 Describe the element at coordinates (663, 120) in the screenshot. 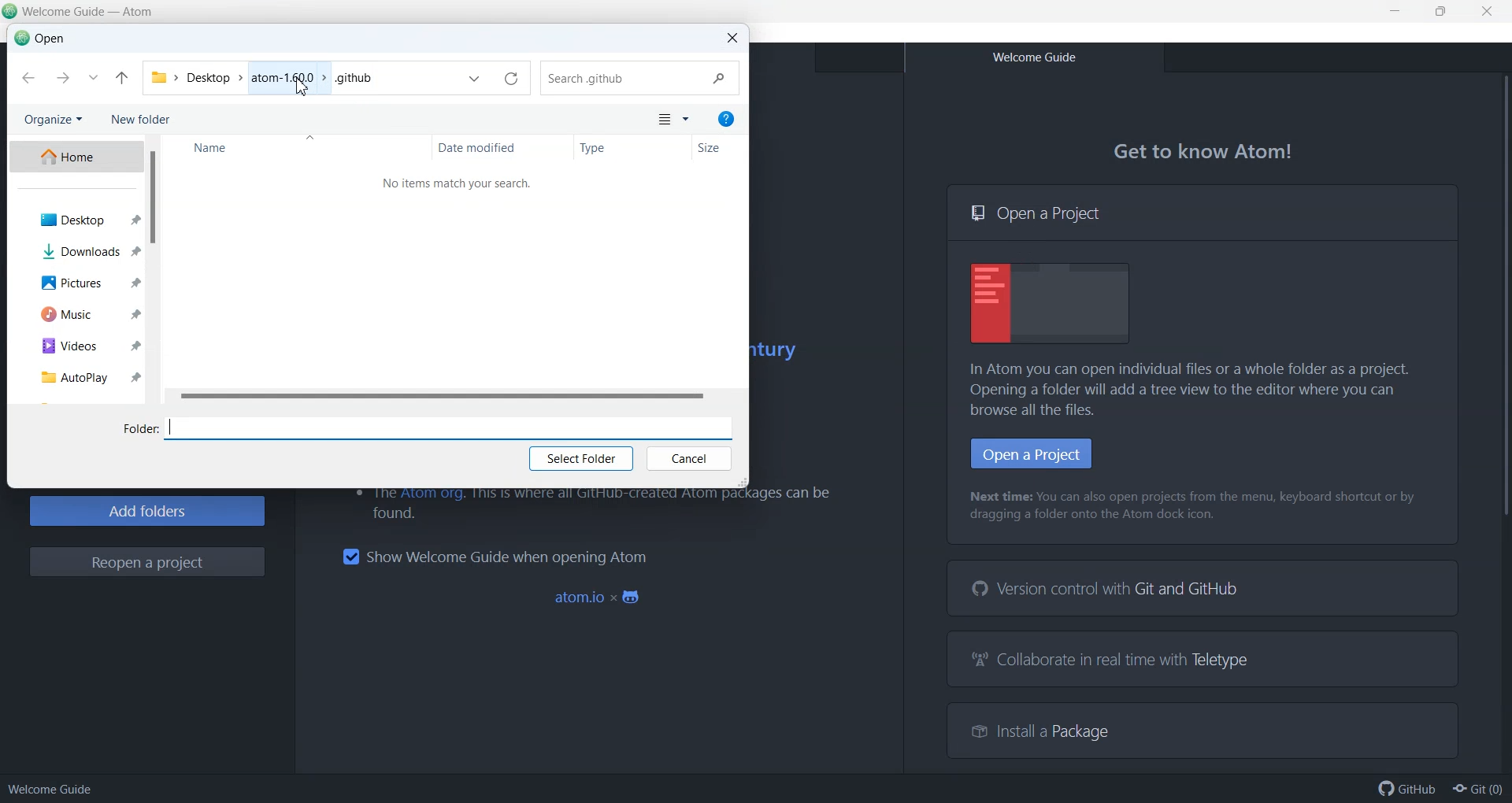

I see `Change your view` at that location.